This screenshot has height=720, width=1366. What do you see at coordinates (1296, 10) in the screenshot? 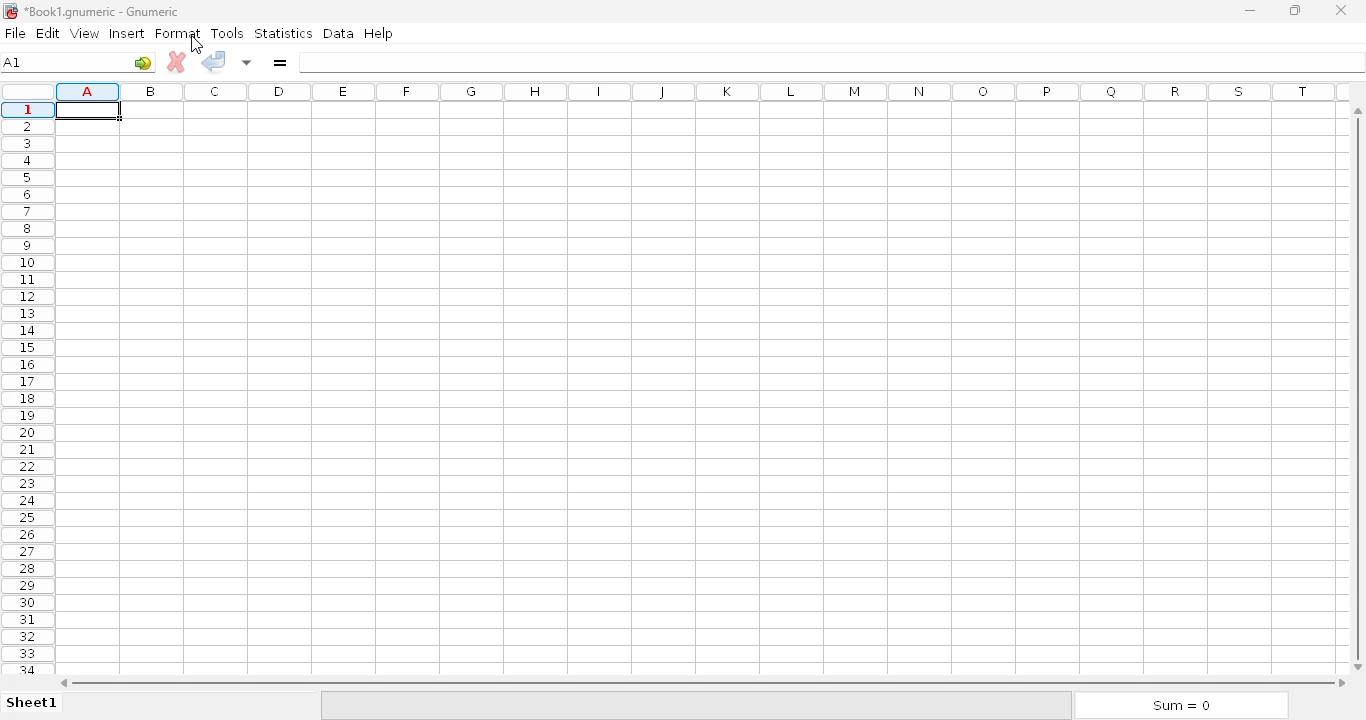
I see `maximize` at bounding box center [1296, 10].